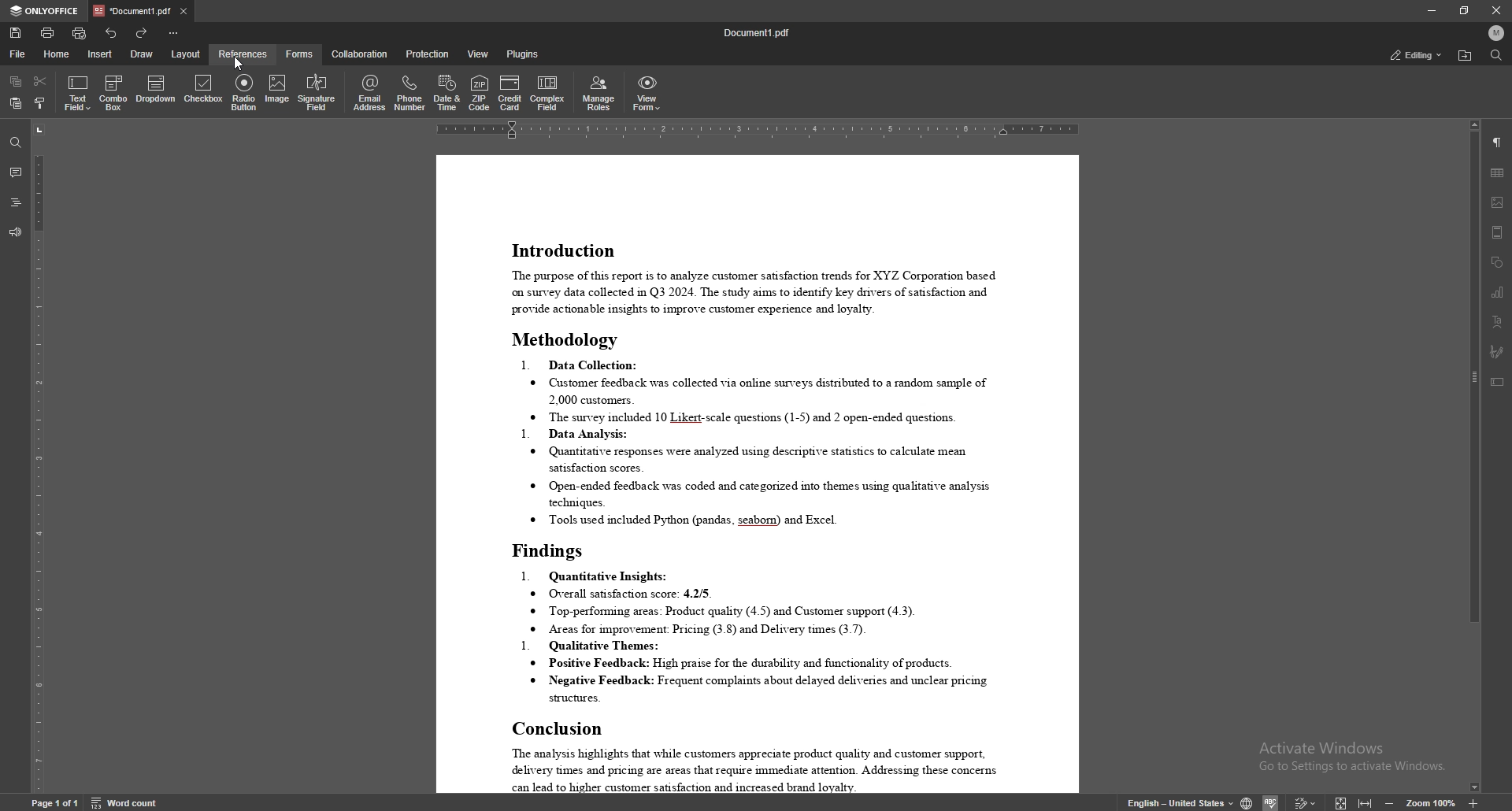 The image size is (1512, 811). I want to click on tab, so click(130, 10).